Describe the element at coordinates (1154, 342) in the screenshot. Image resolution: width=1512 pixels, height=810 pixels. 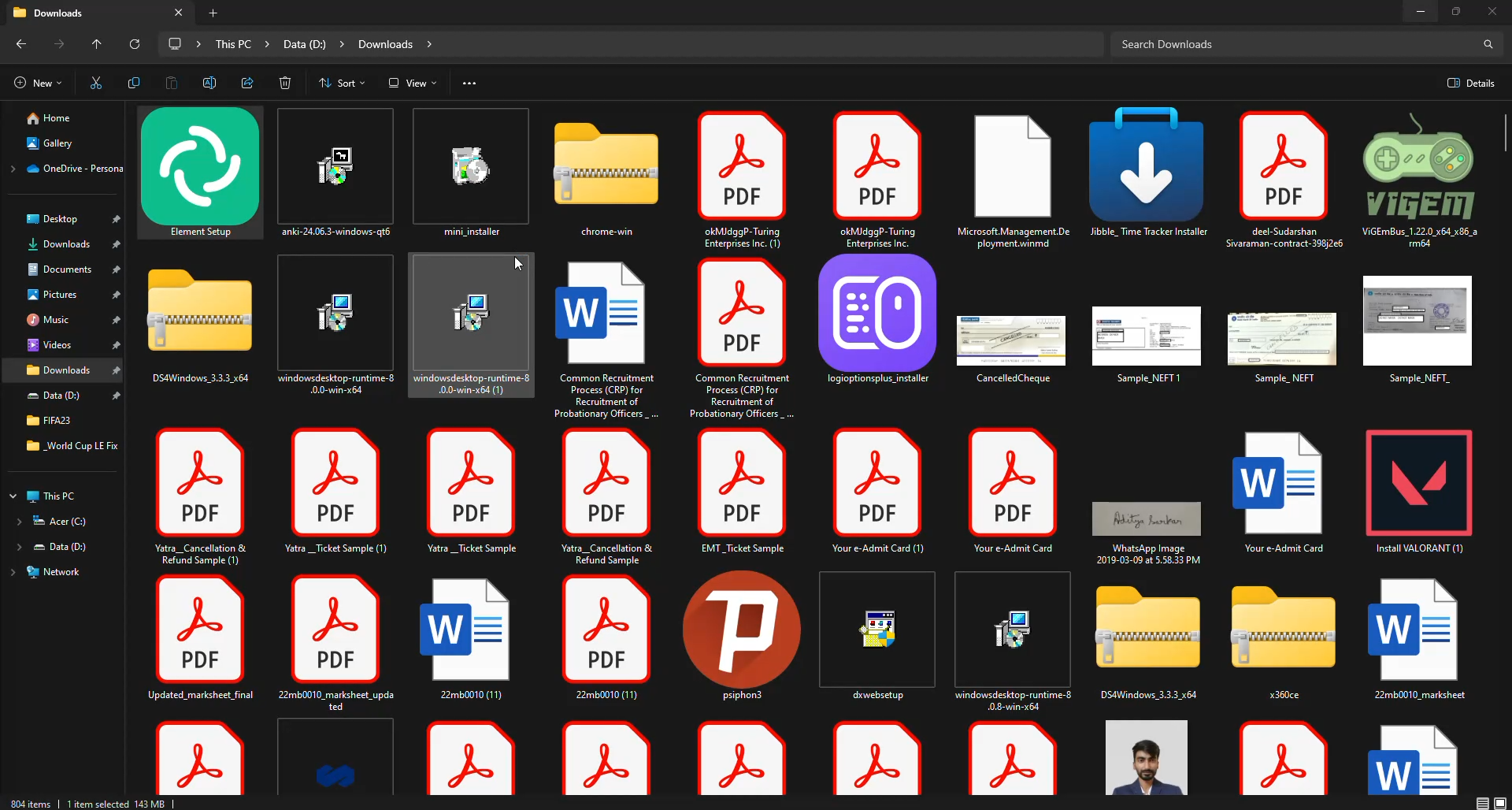
I see `file` at that location.